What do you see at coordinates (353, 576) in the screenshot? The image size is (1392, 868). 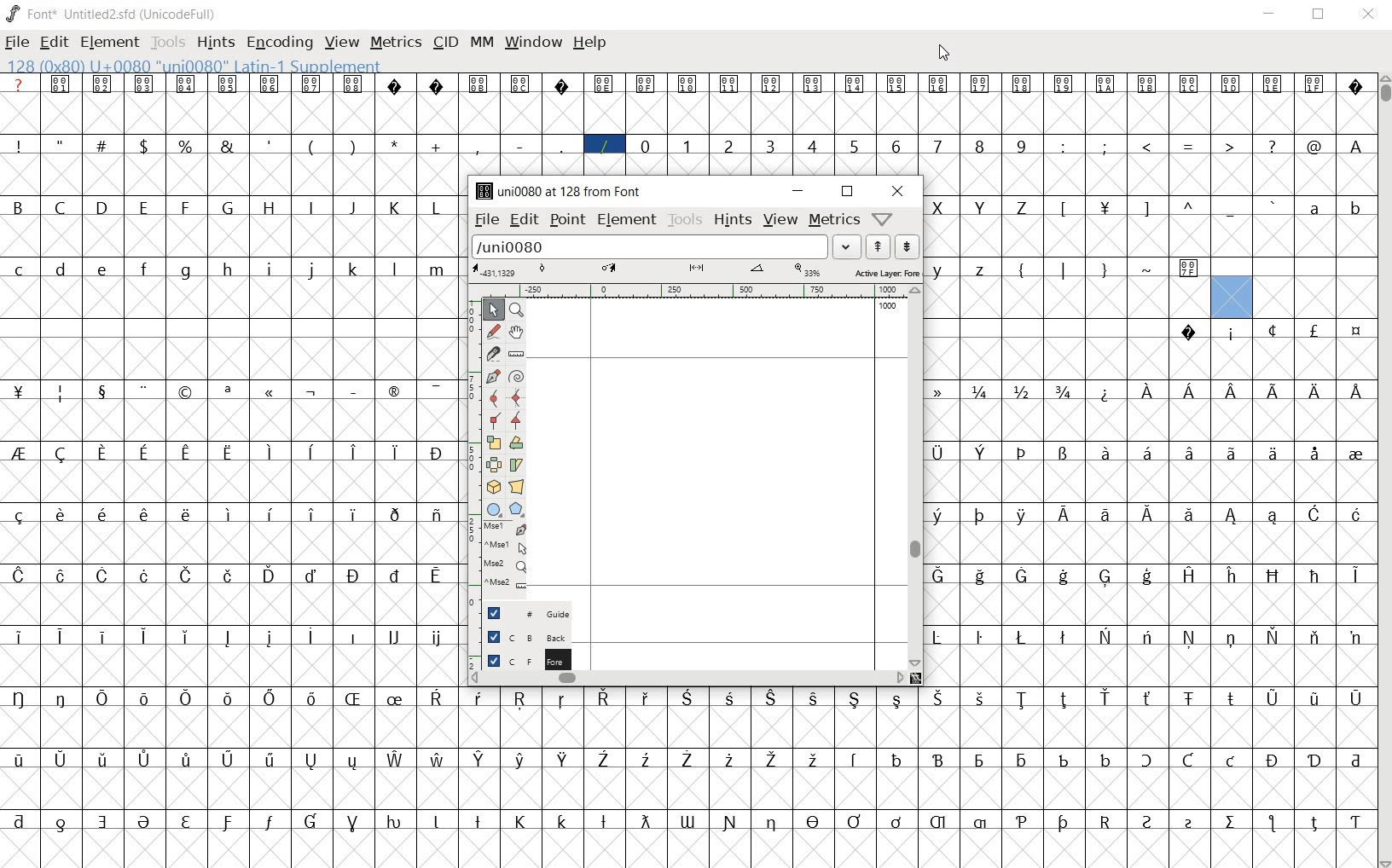 I see `glyph` at bounding box center [353, 576].